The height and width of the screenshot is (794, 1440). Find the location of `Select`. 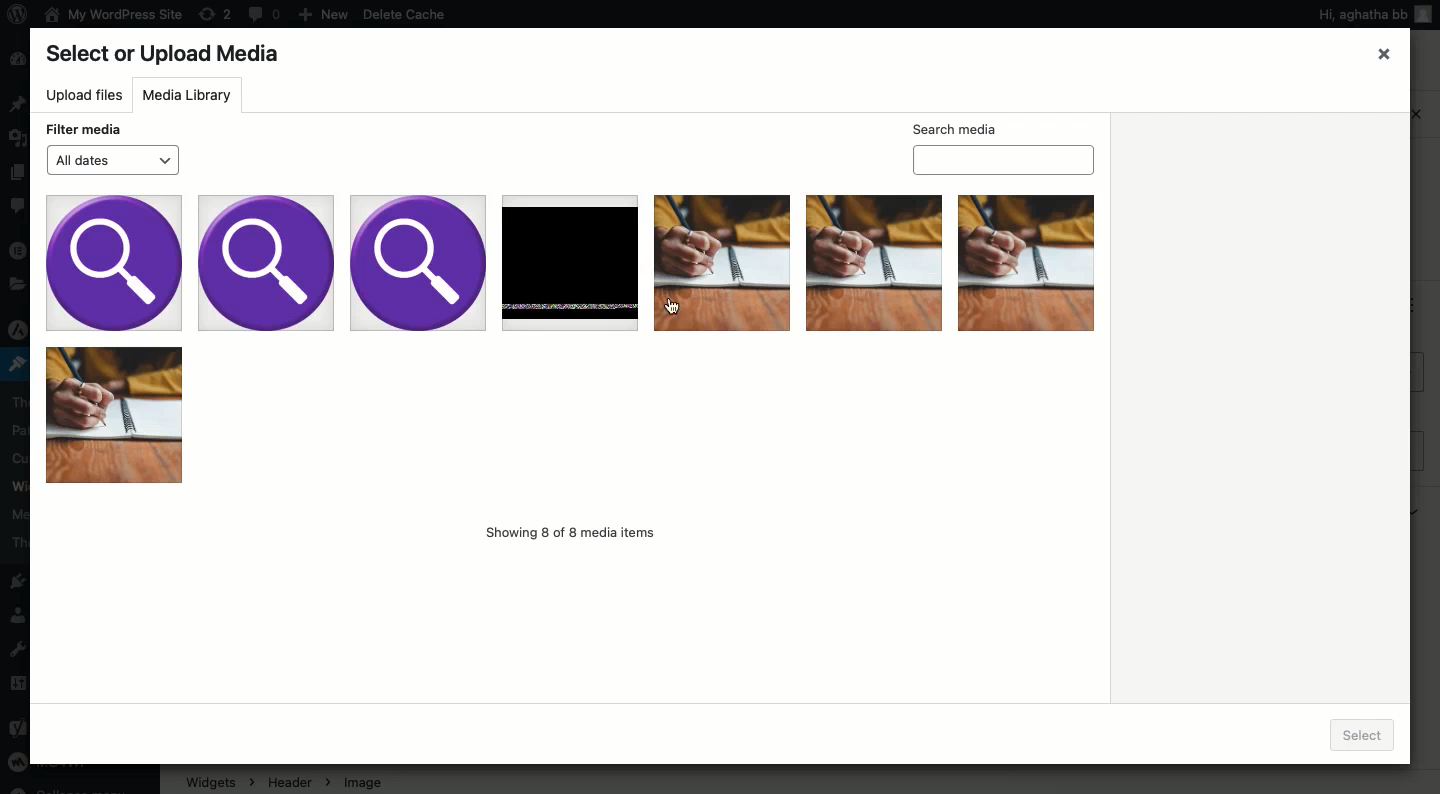

Select is located at coordinates (1368, 733).